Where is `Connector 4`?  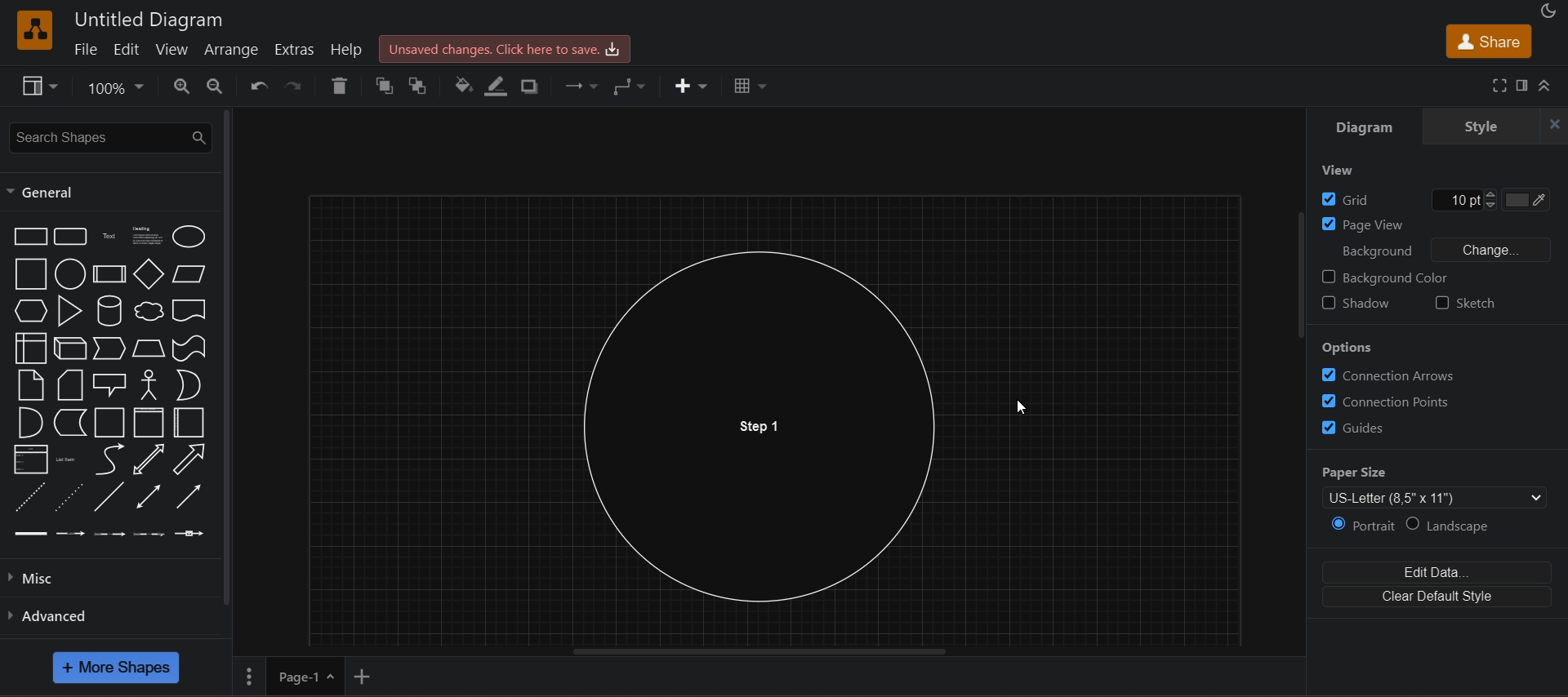 Connector 4 is located at coordinates (147, 534).